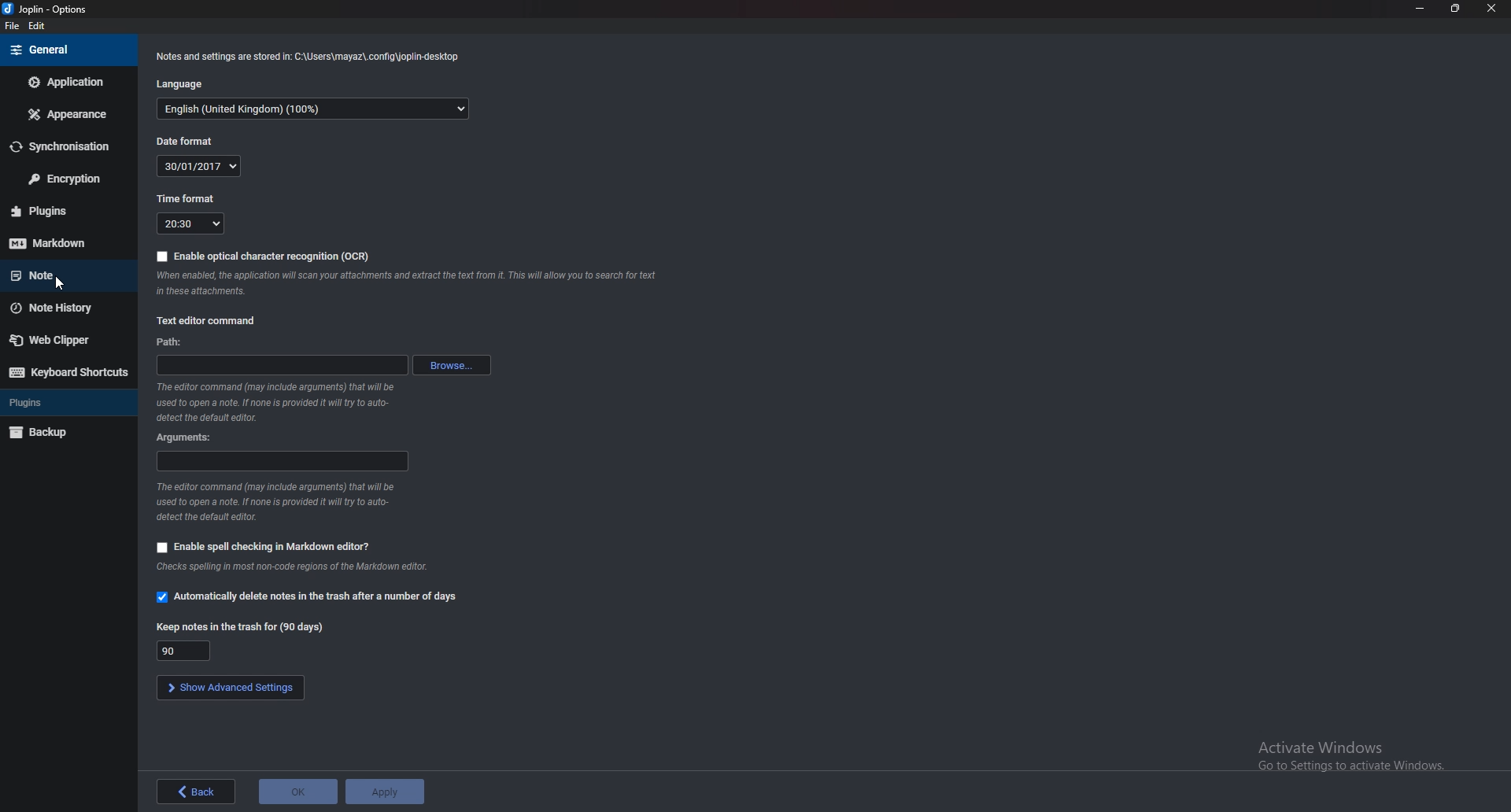  Describe the element at coordinates (264, 547) in the screenshot. I see `Enable spell checking` at that location.